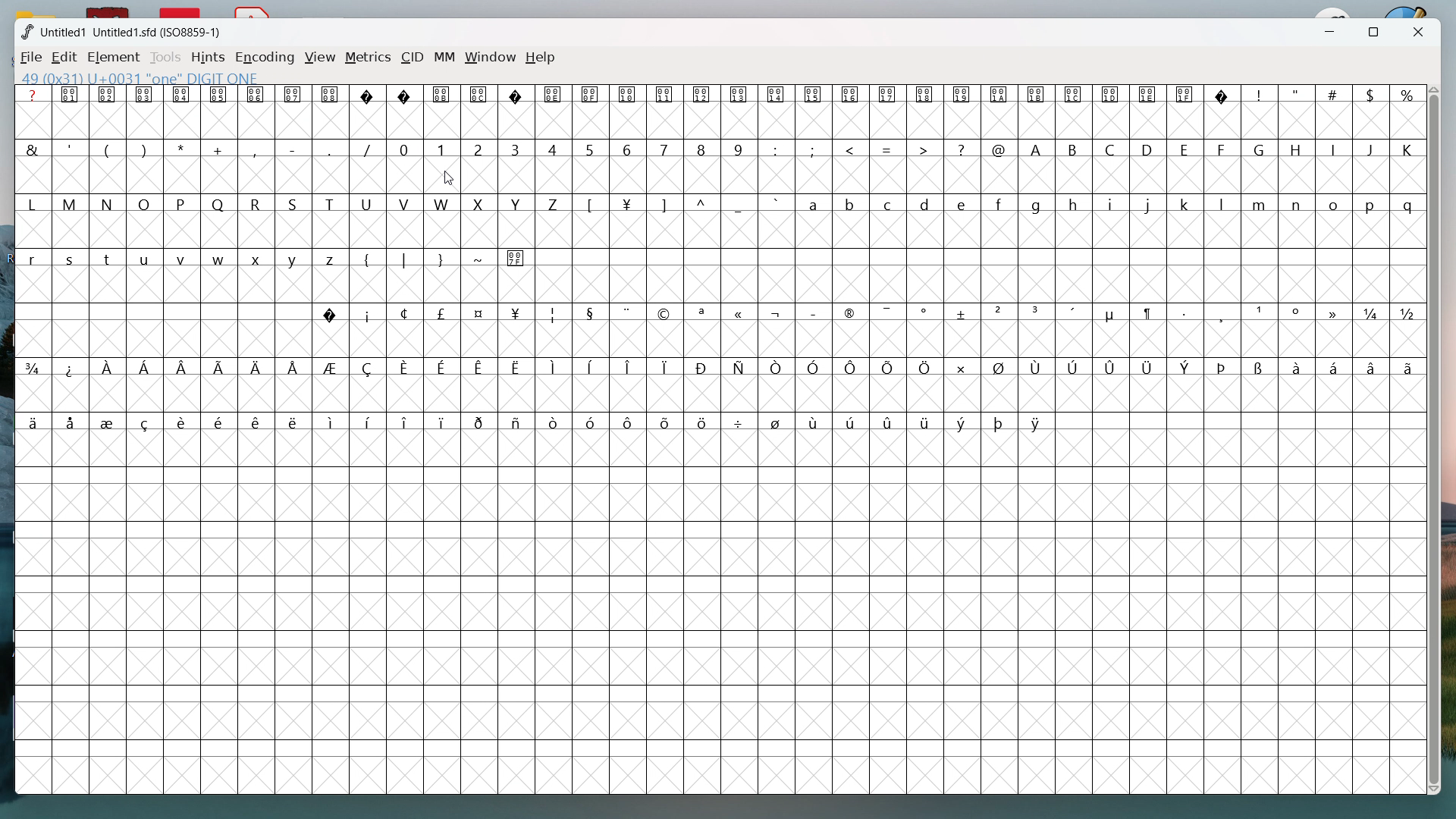 This screenshot has width=1456, height=819. I want to click on symbol, so click(926, 311).